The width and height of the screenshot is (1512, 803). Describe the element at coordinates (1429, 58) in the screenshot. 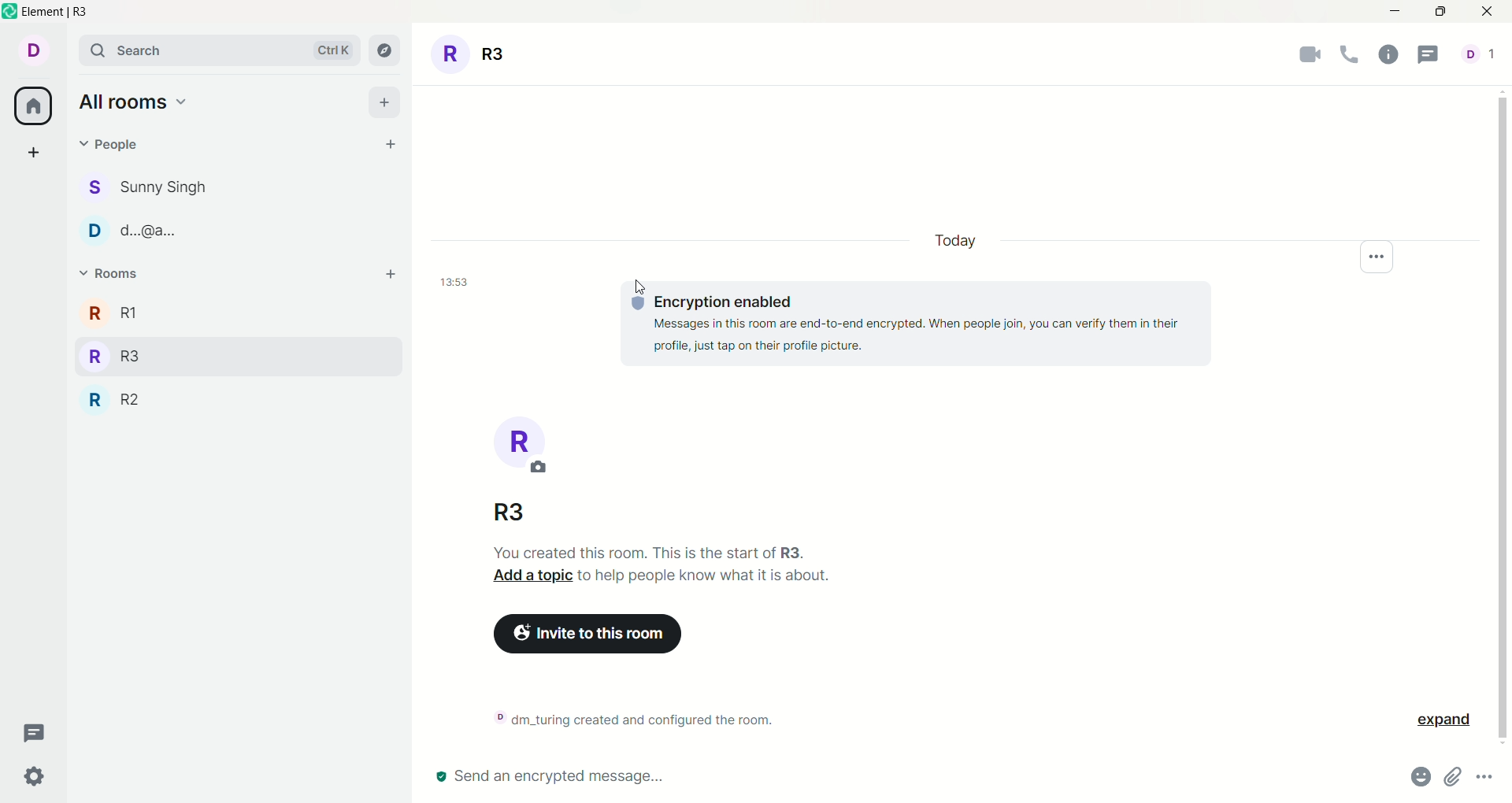

I see `threads` at that location.